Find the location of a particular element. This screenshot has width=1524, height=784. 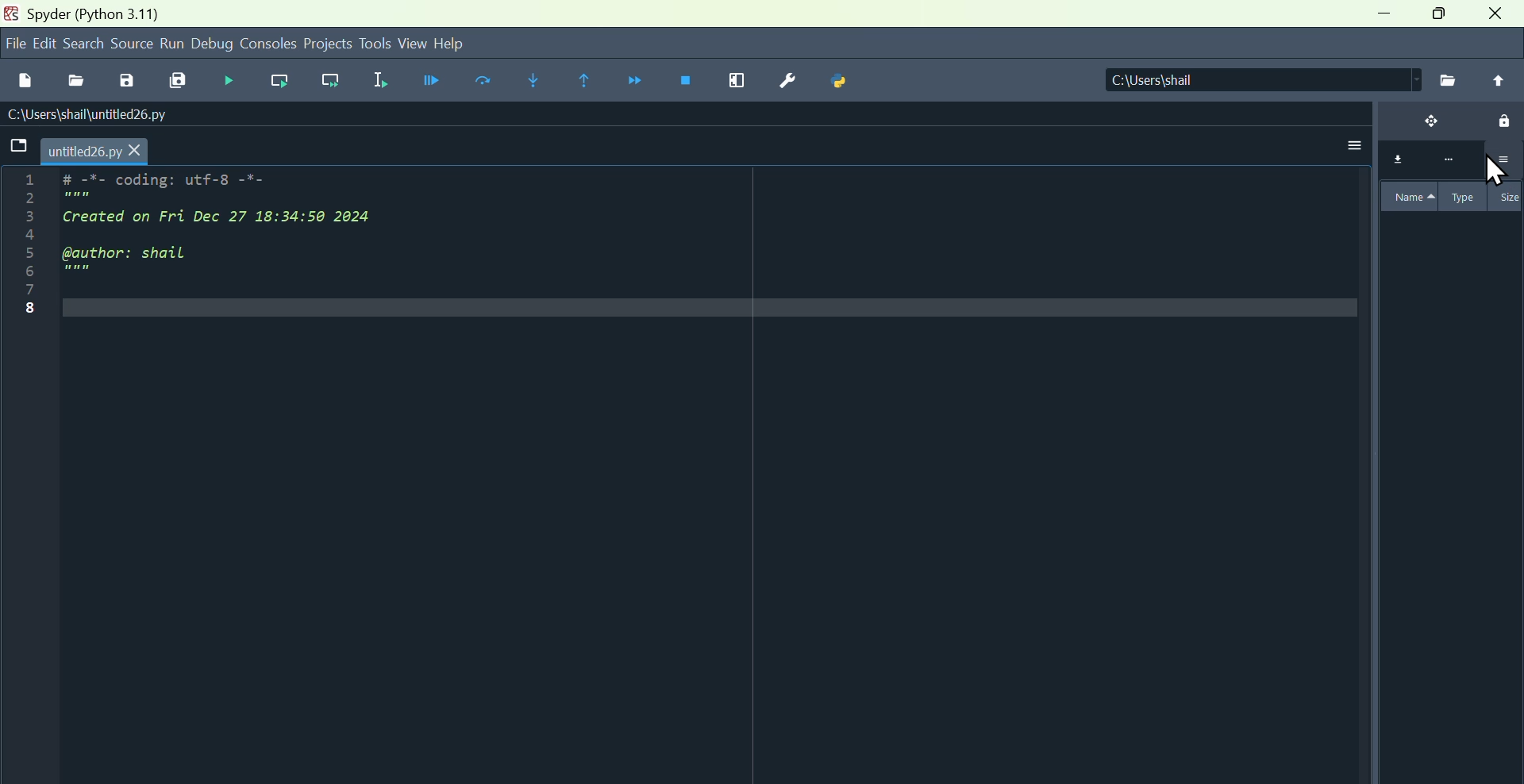

files is located at coordinates (1446, 79).